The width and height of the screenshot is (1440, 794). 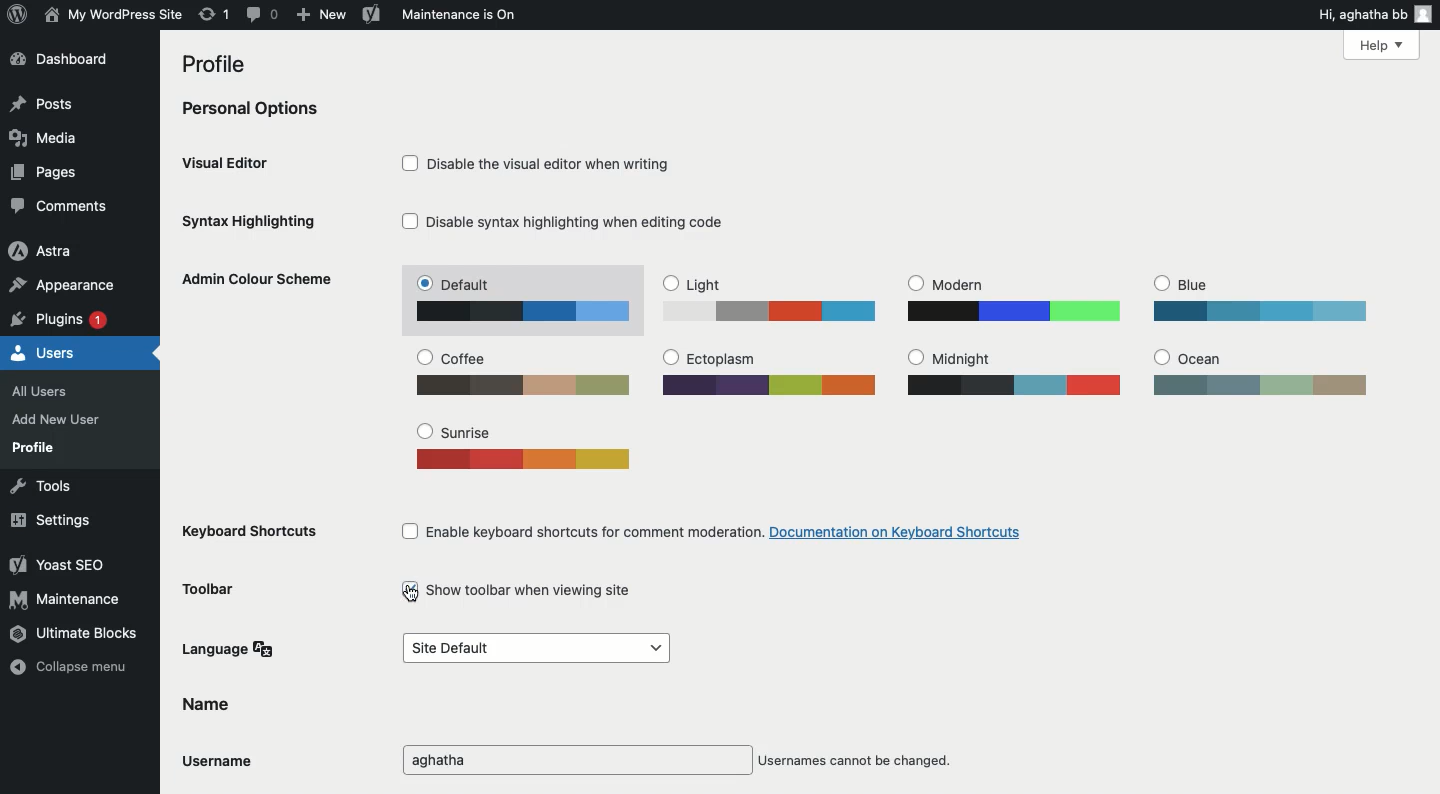 I want to click on Username, so click(x=567, y=758).